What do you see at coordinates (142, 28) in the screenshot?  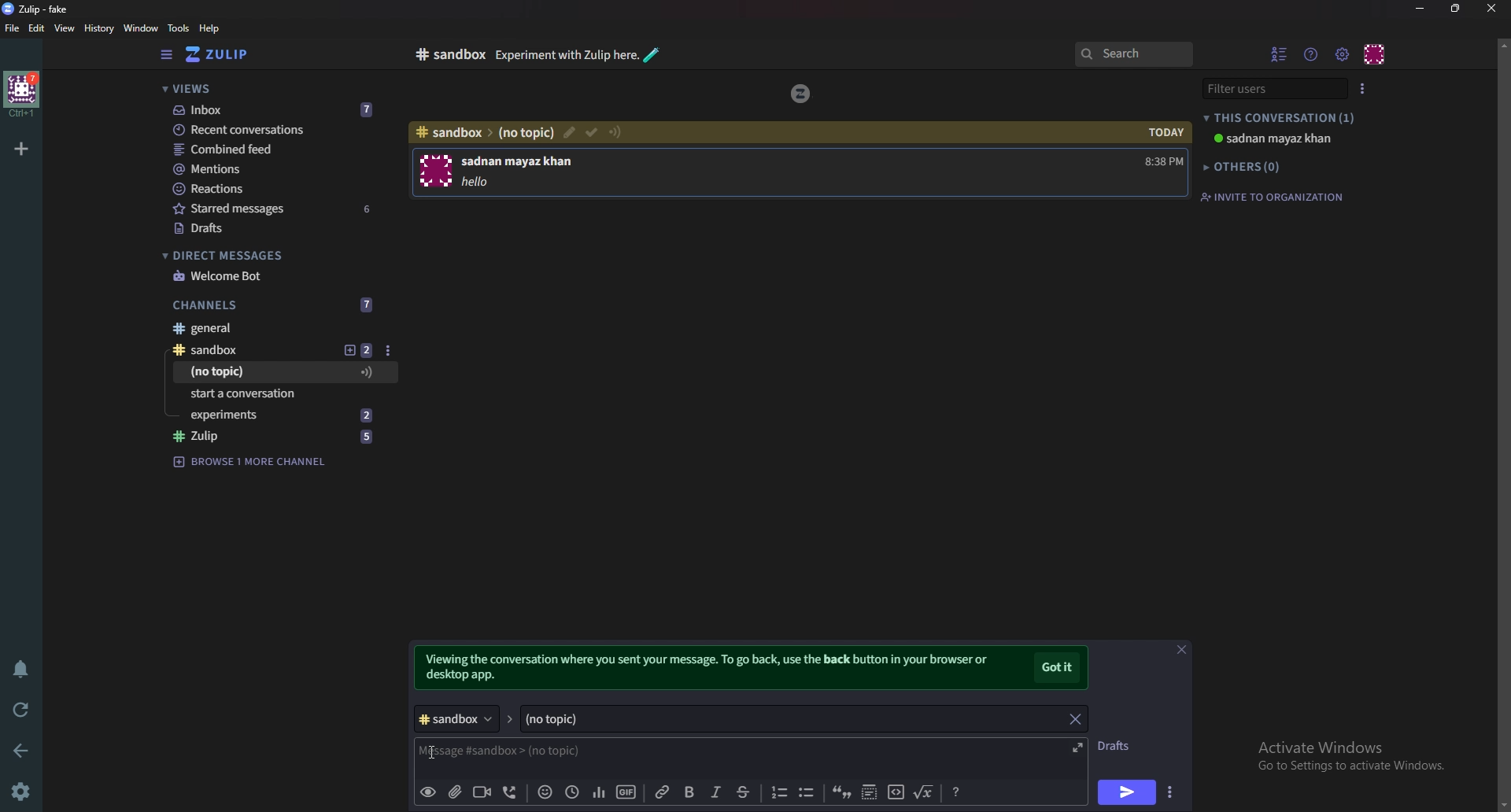 I see `Window` at bounding box center [142, 28].